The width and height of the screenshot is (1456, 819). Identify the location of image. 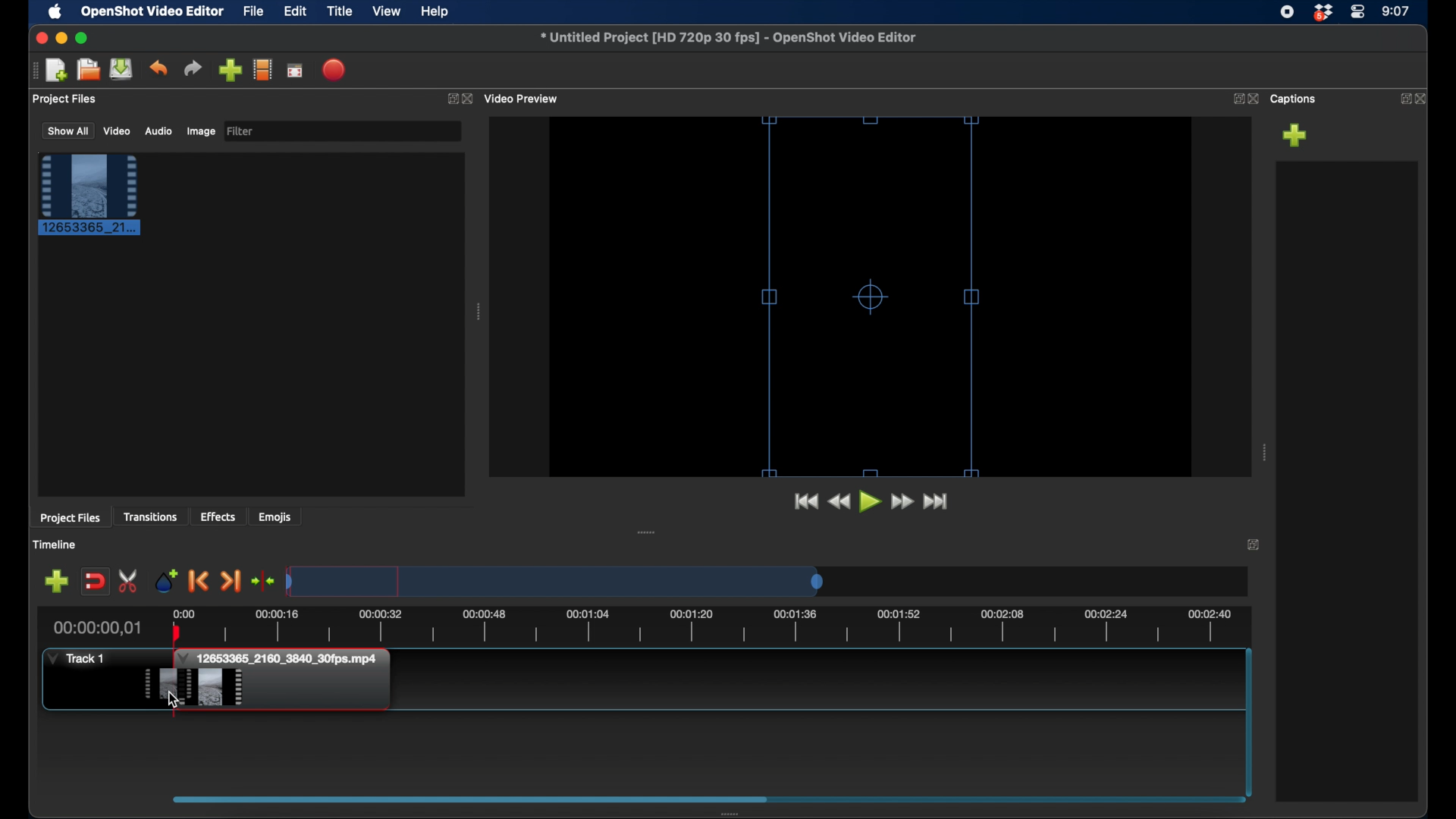
(200, 131).